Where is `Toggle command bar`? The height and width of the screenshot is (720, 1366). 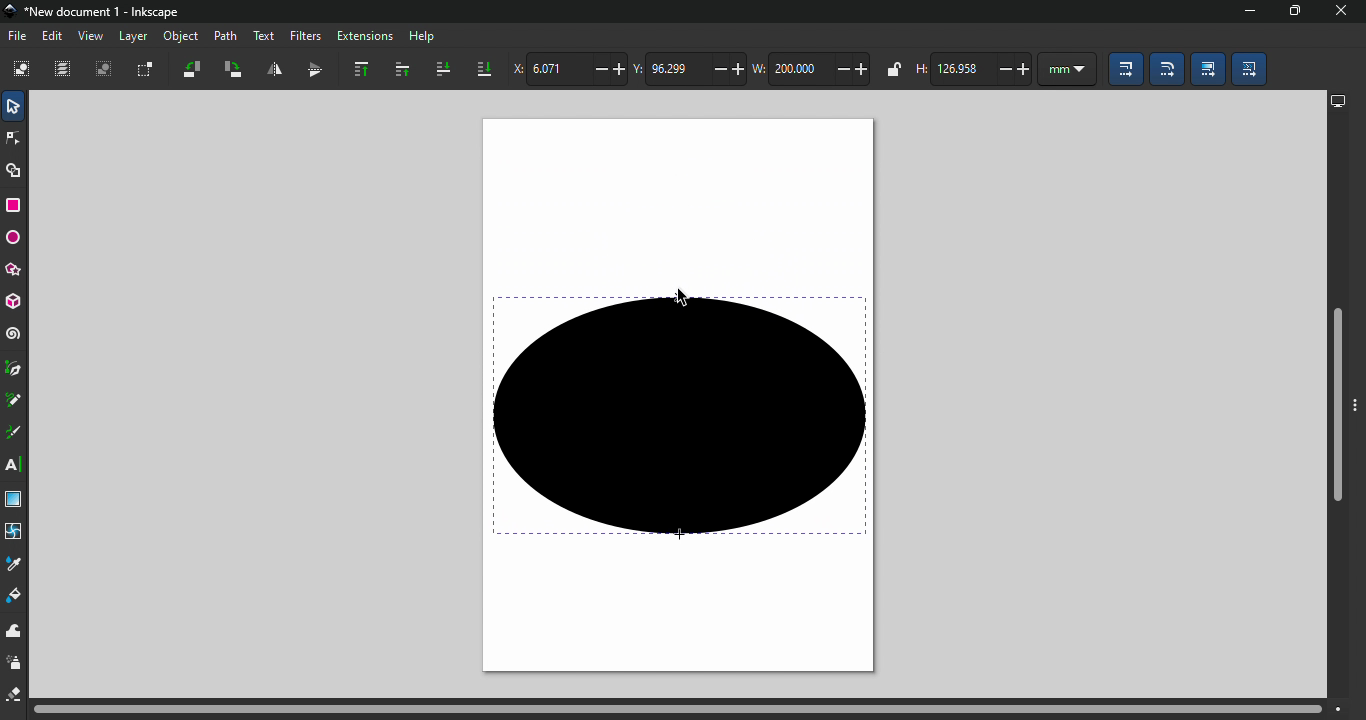 Toggle command bar is located at coordinates (1358, 400).